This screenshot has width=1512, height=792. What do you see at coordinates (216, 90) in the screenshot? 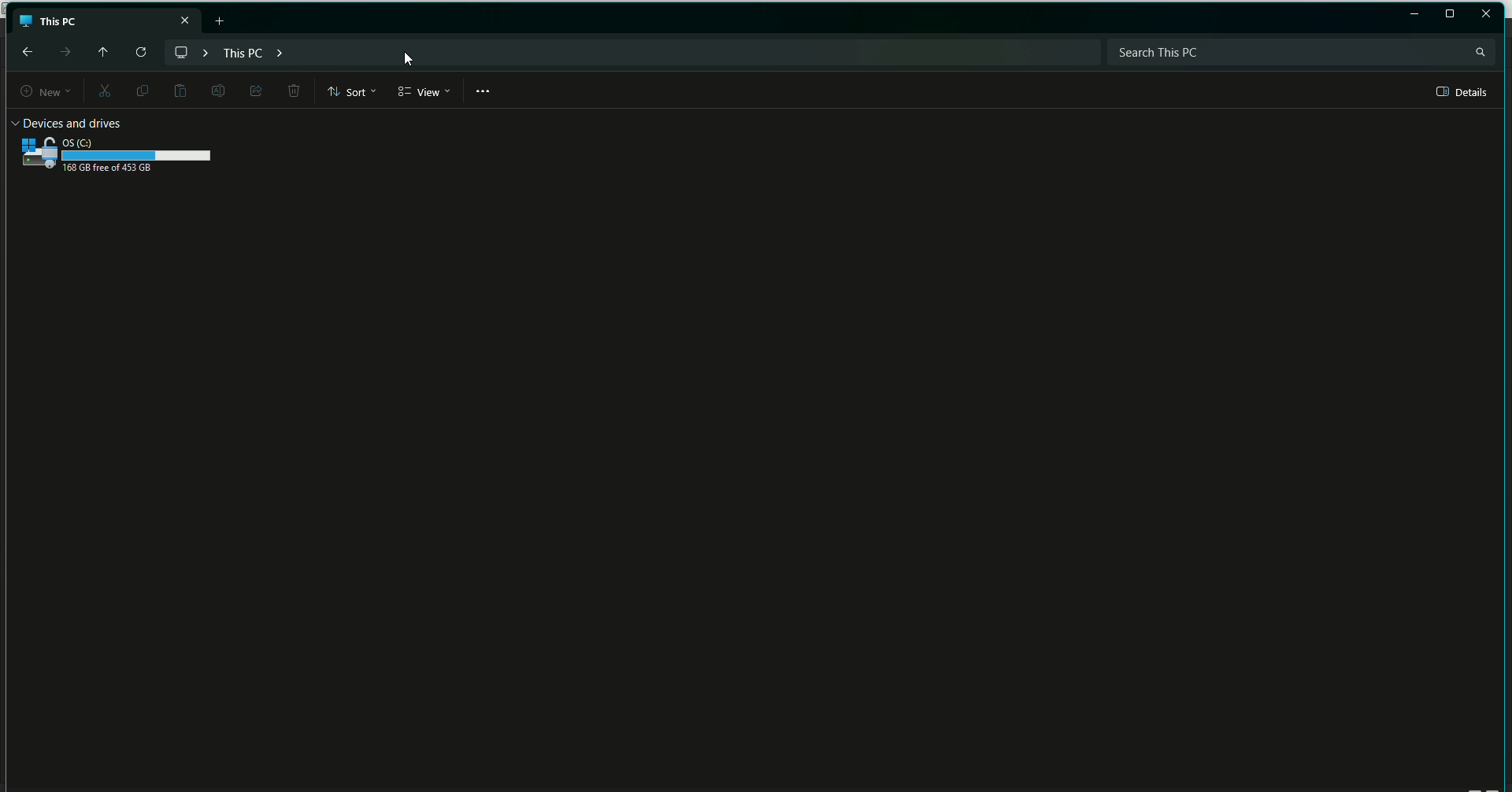
I see `Edit` at bounding box center [216, 90].